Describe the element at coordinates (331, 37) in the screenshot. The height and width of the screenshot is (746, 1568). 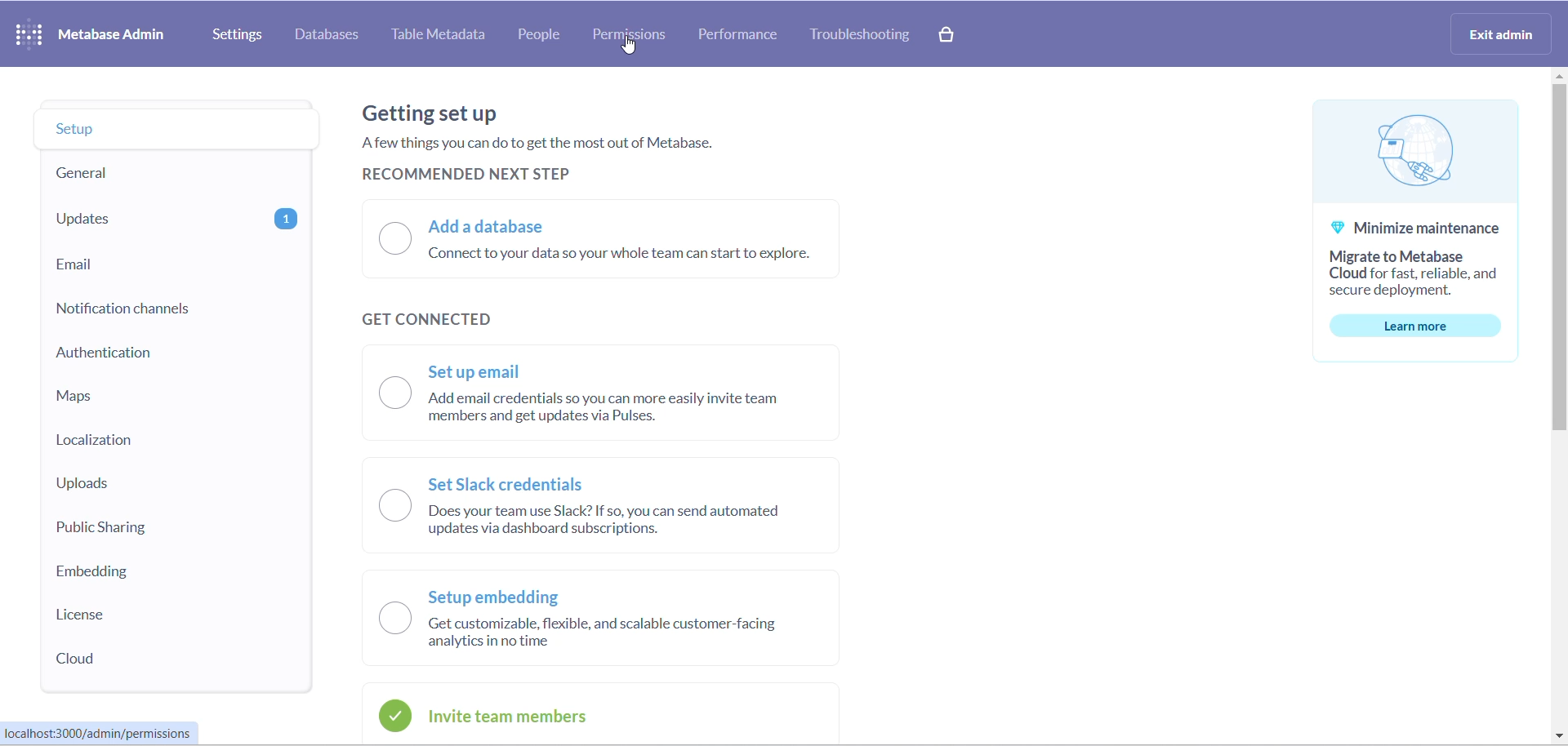
I see `databases` at that location.